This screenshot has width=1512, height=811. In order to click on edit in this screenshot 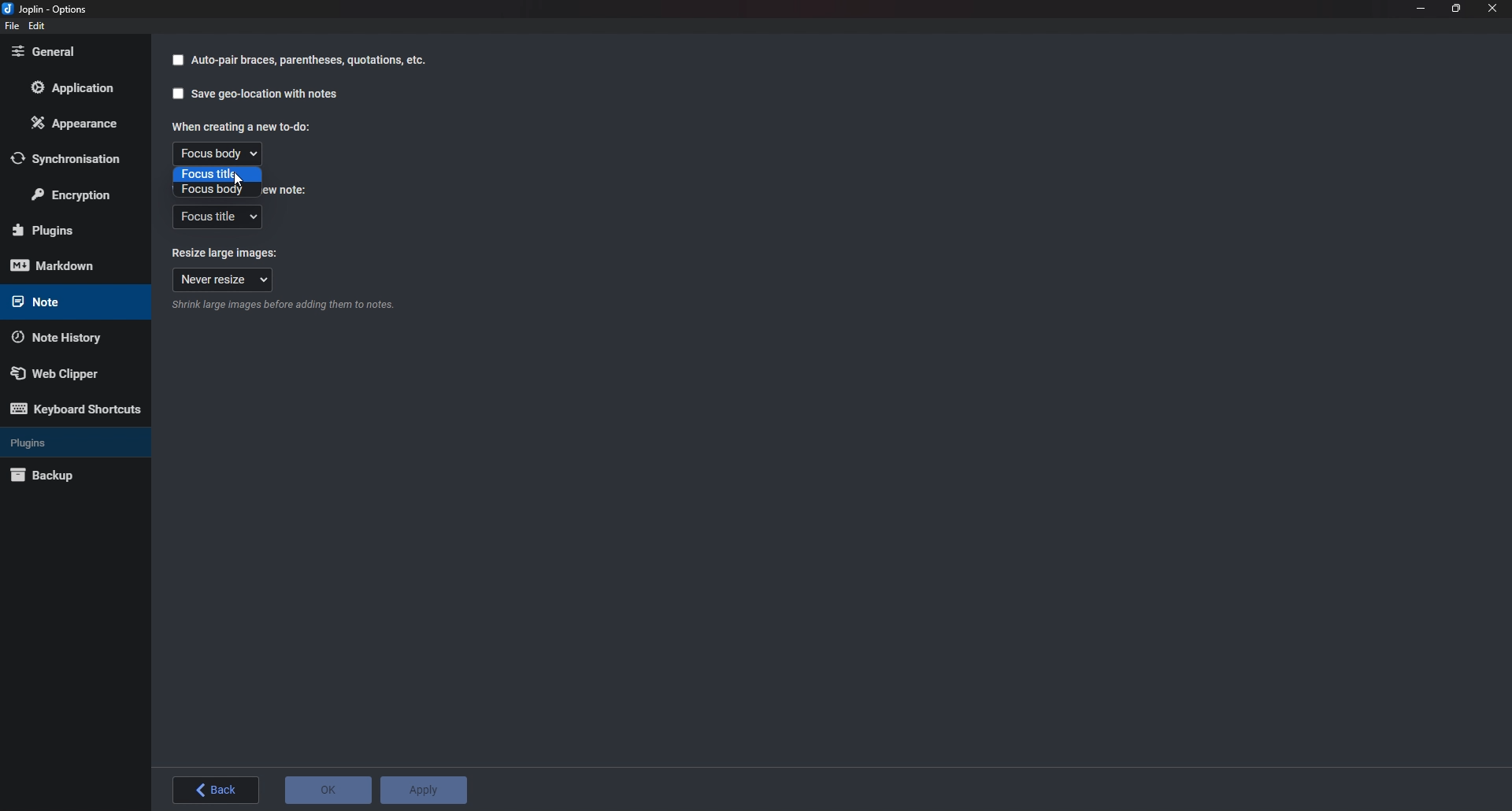, I will do `click(39, 26)`.